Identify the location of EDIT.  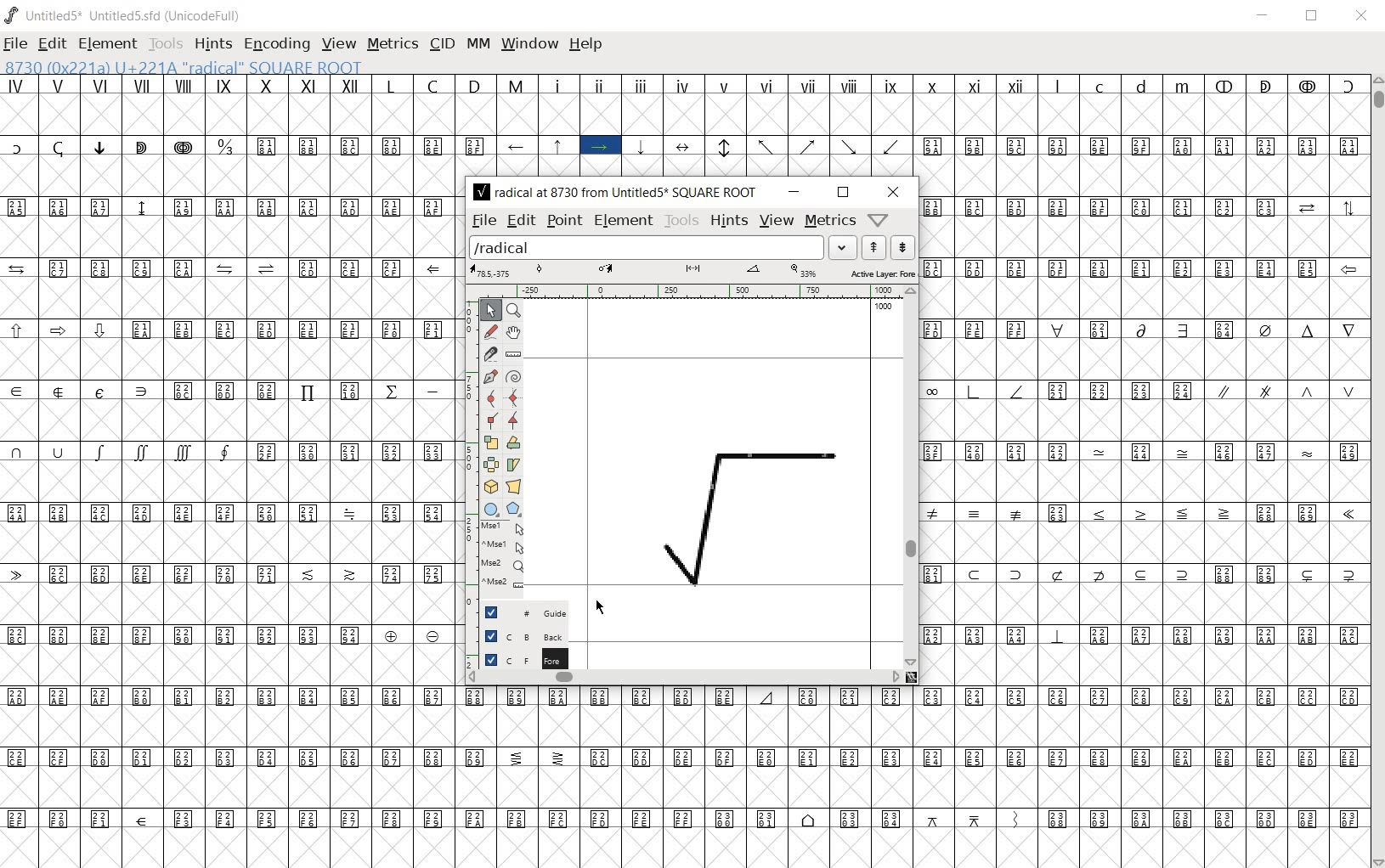
(50, 43).